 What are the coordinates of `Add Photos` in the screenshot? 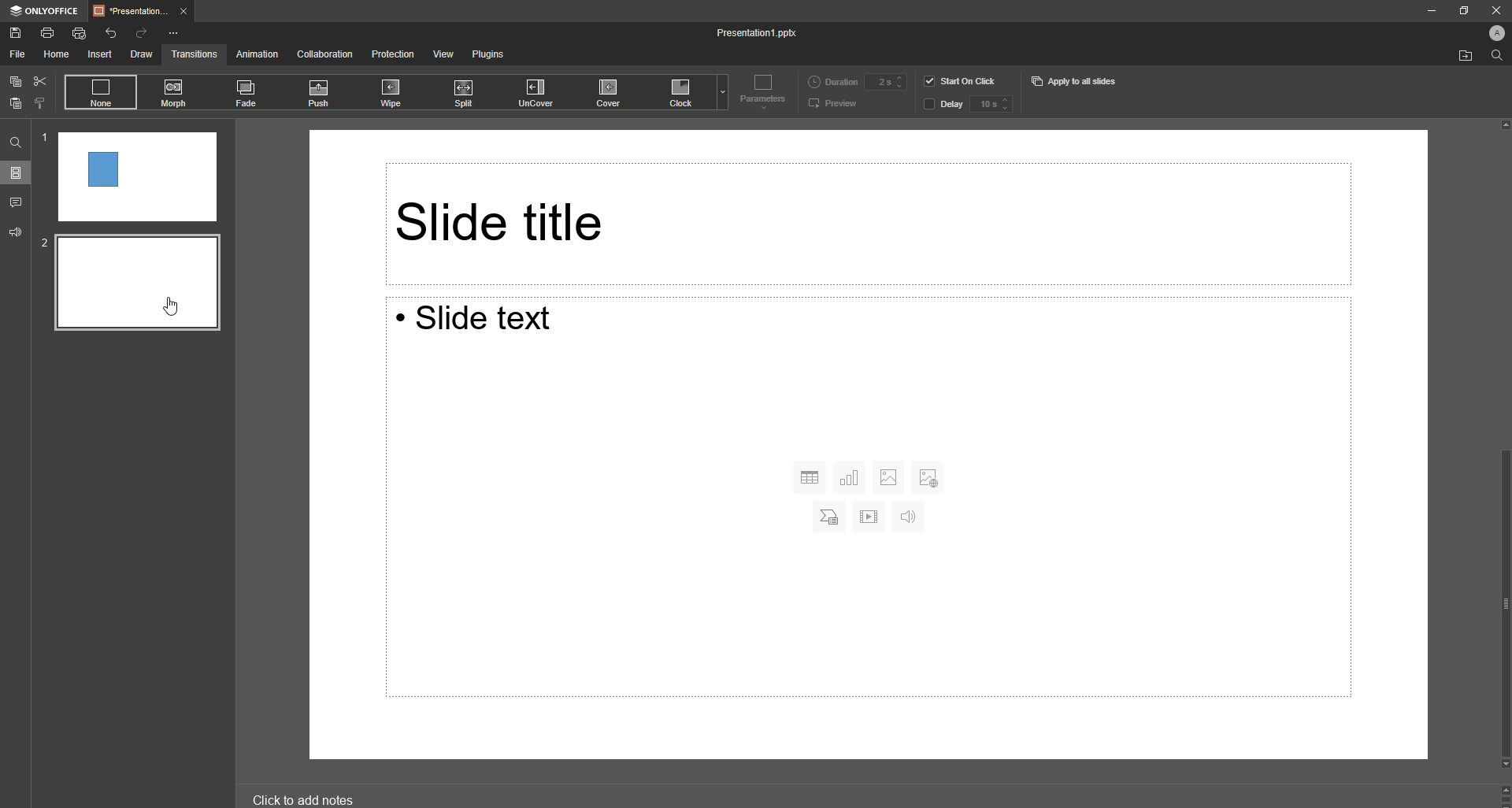 It's located at (929, 478).